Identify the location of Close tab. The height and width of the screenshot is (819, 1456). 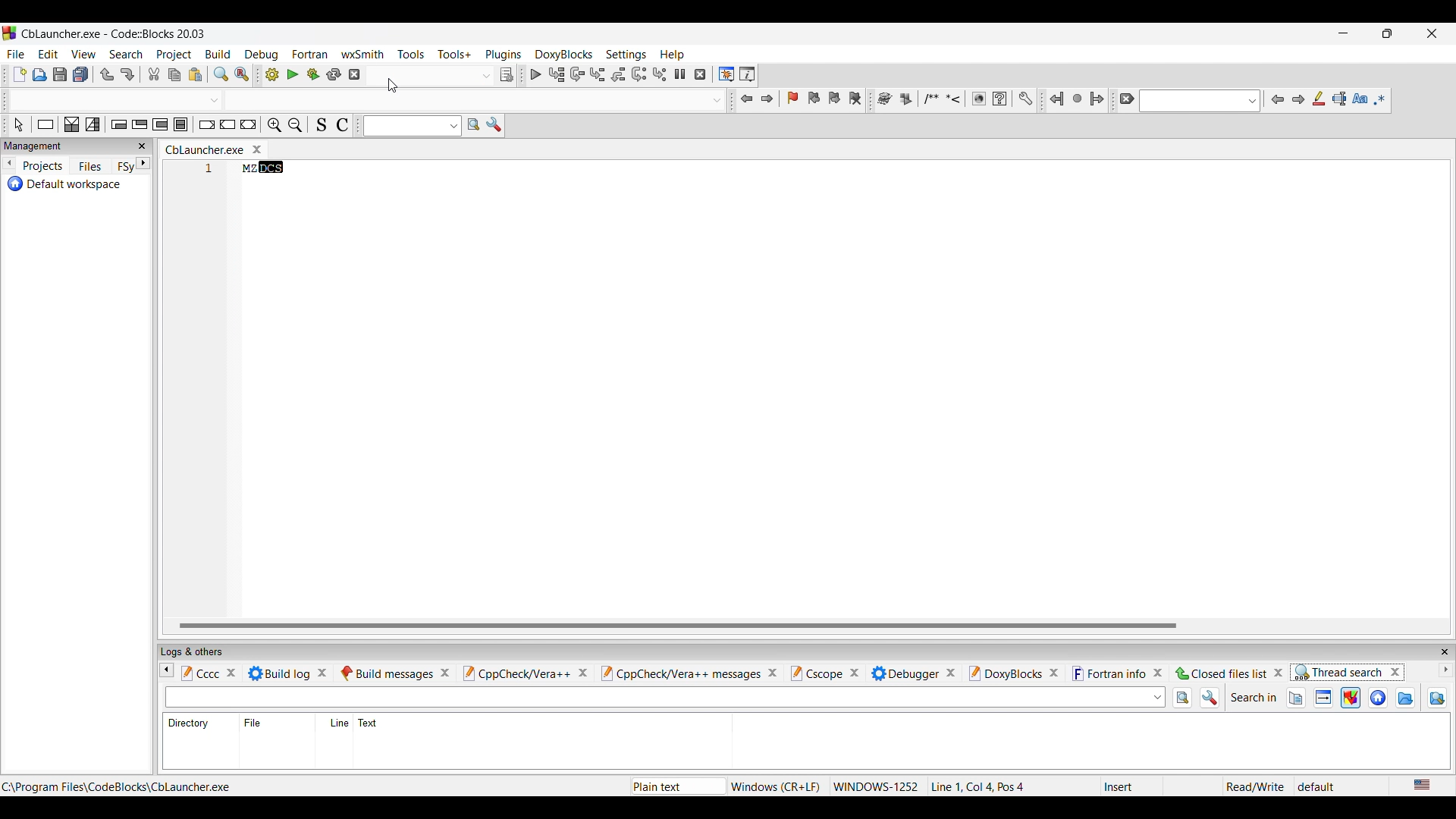
(322, 673).